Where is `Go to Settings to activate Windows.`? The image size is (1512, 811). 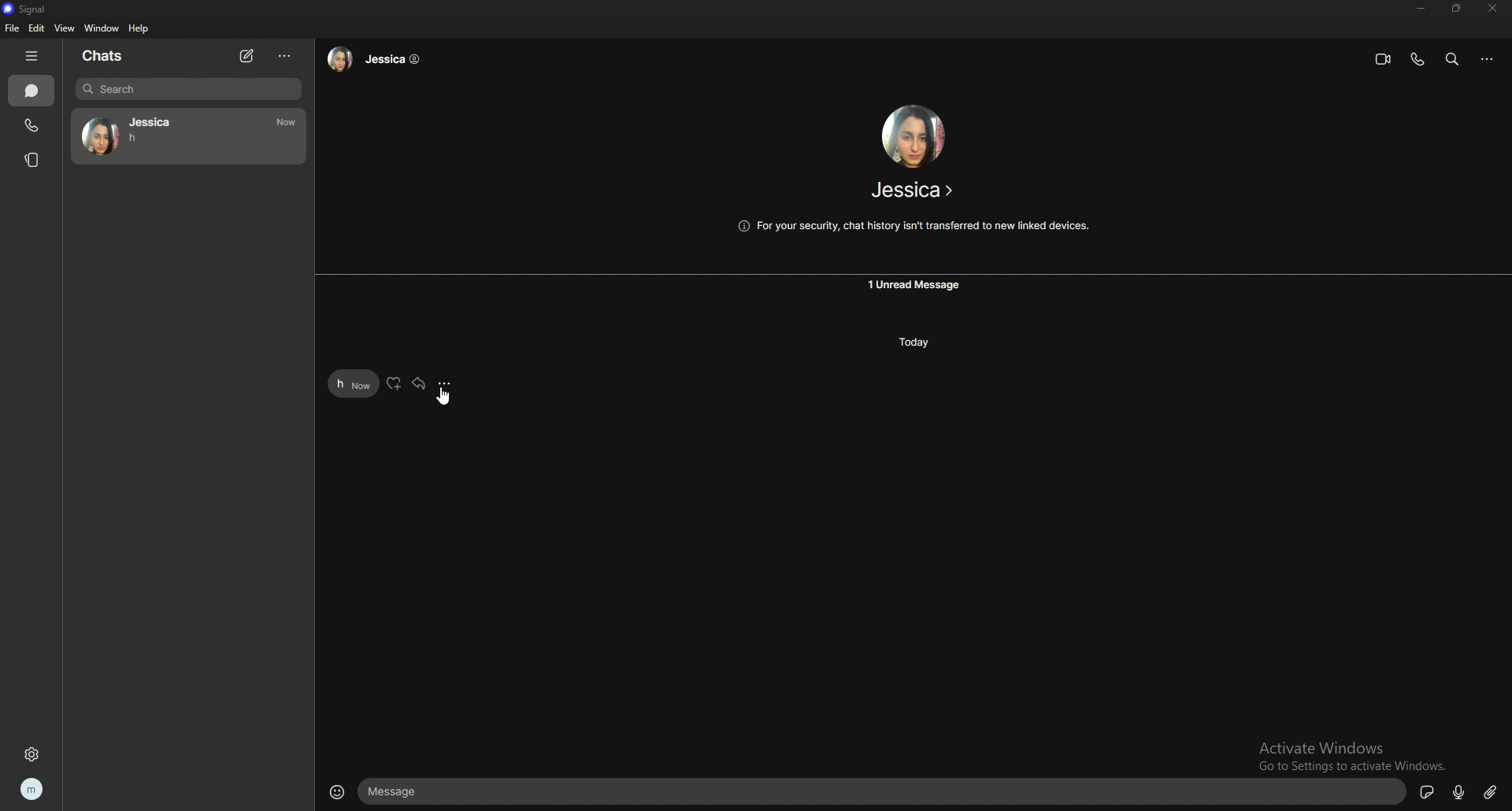 Go to Settings to activate Windows. is located at coordinates (1348, 768).